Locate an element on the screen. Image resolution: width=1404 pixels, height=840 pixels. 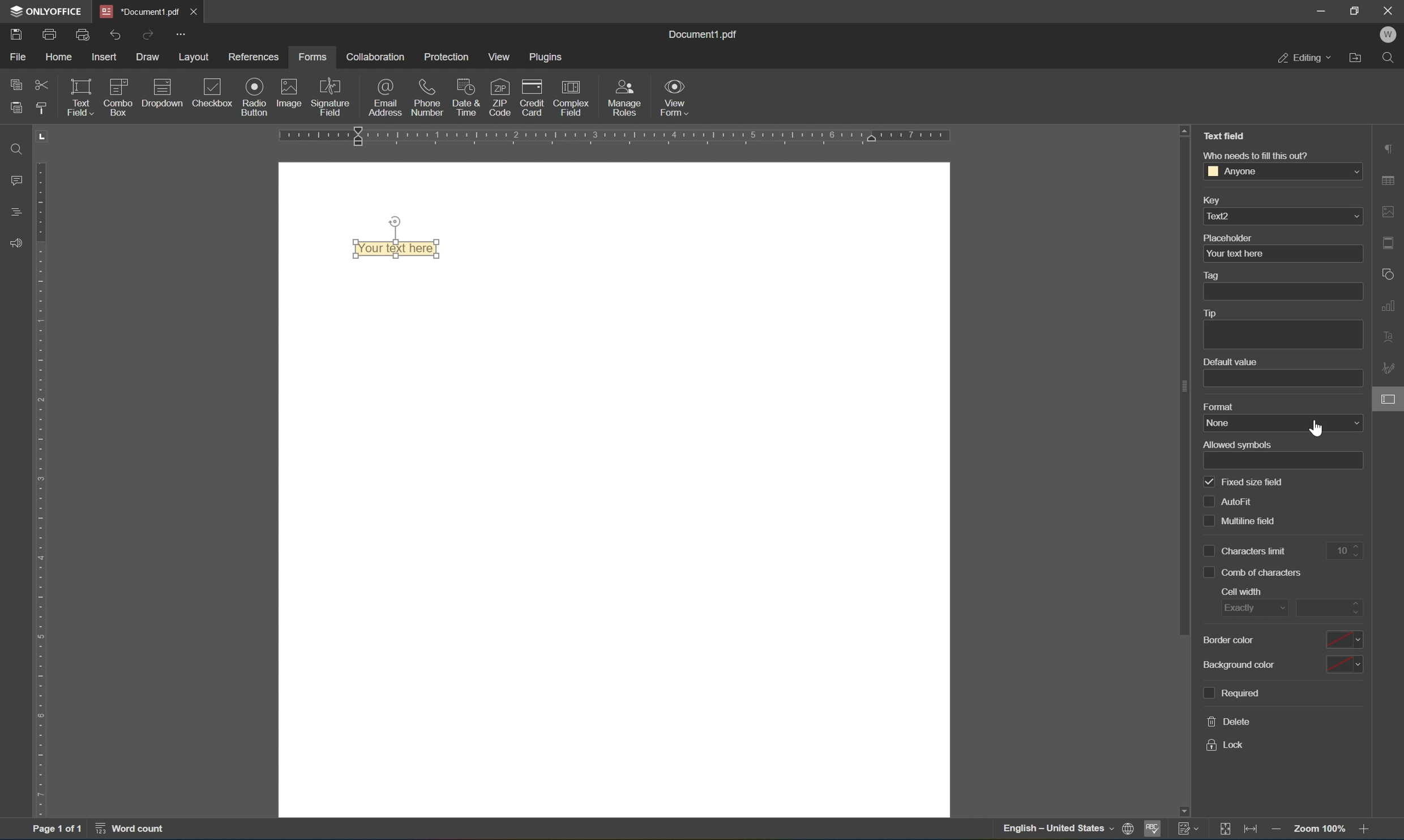
image settings is located at coordinates (1388, 209).